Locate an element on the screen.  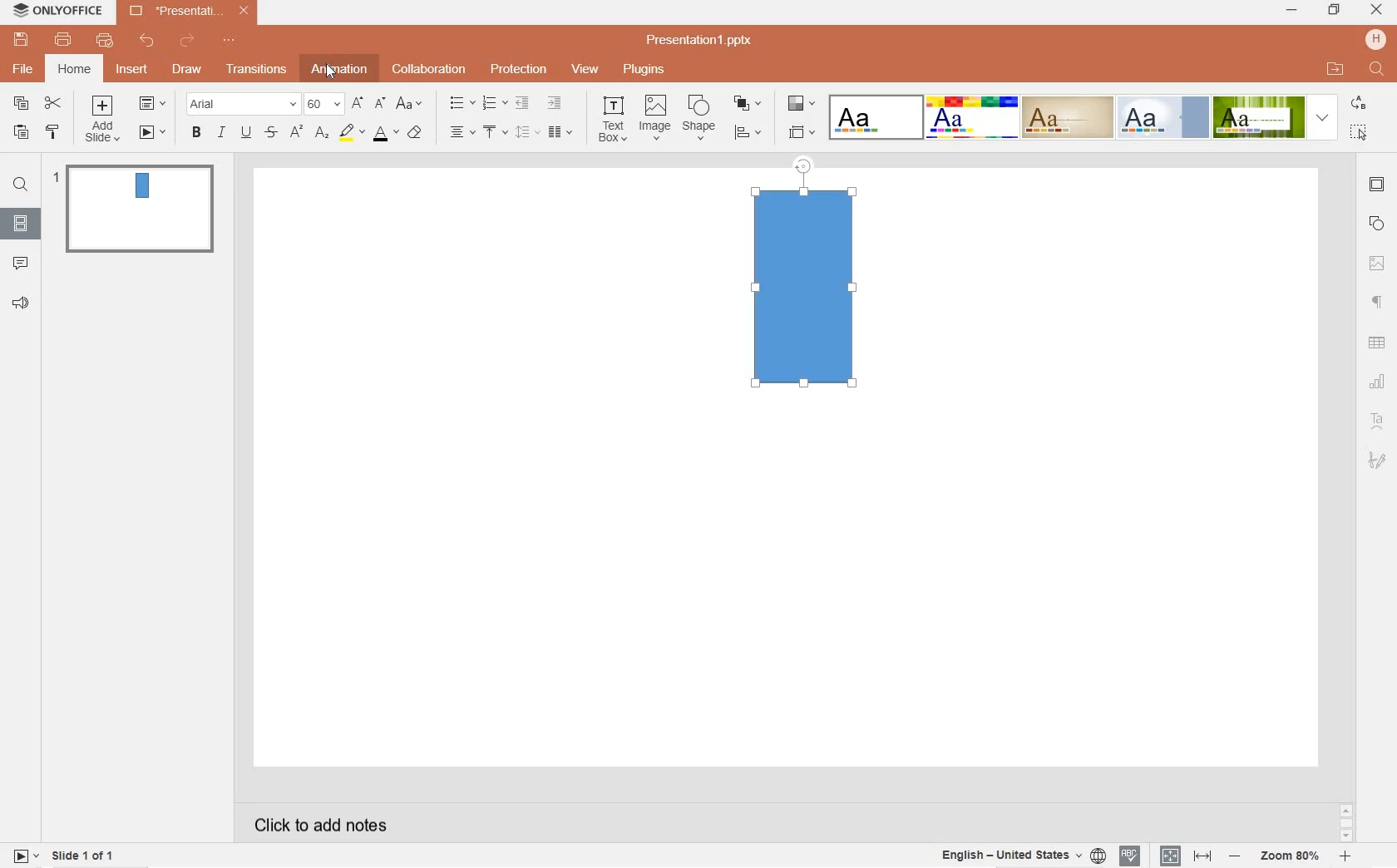
customize quick access toolbar is located at coordinates (233, 42).